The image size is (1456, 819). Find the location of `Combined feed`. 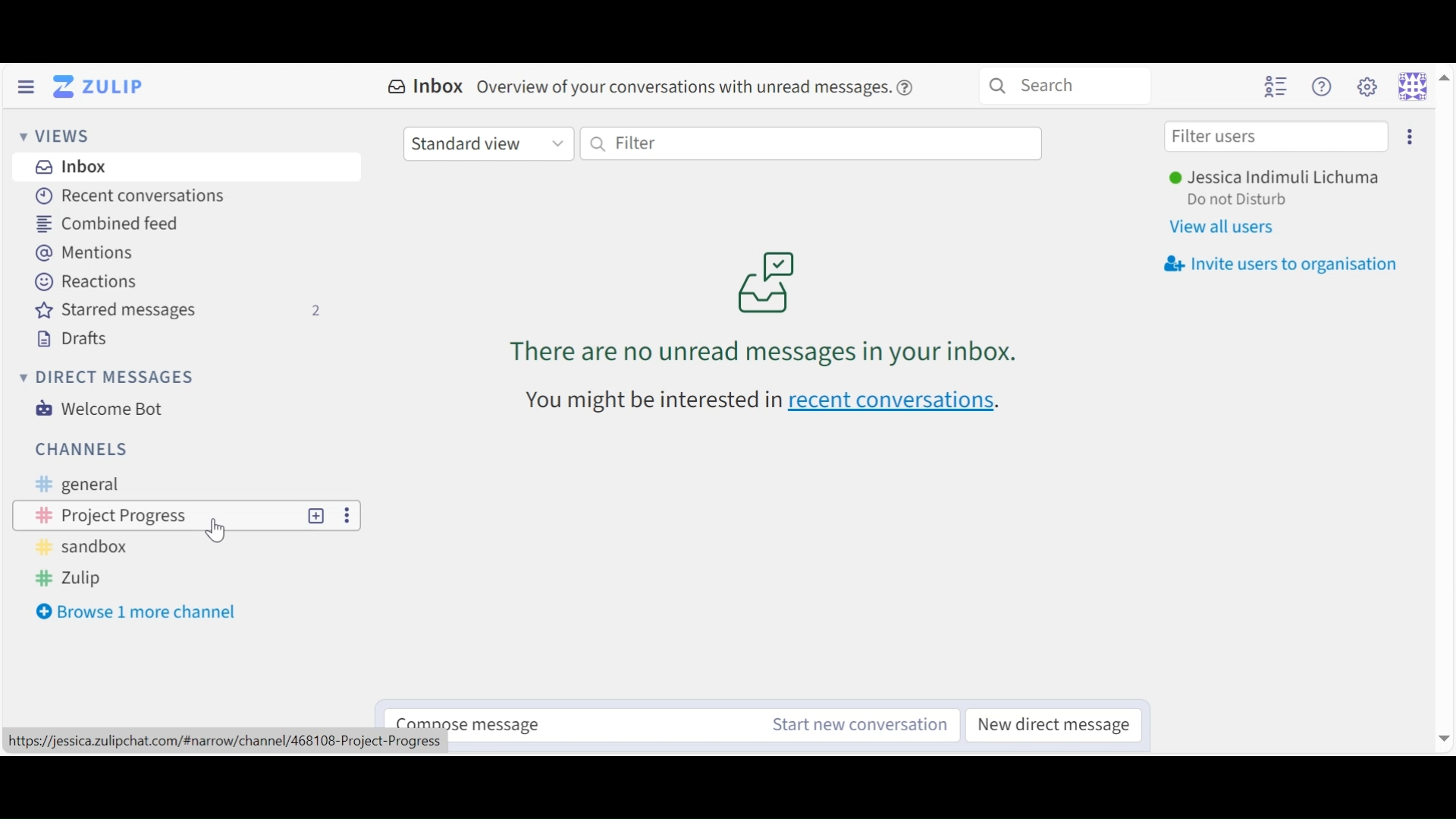

Combined feed is located at coordinates (104, 224).